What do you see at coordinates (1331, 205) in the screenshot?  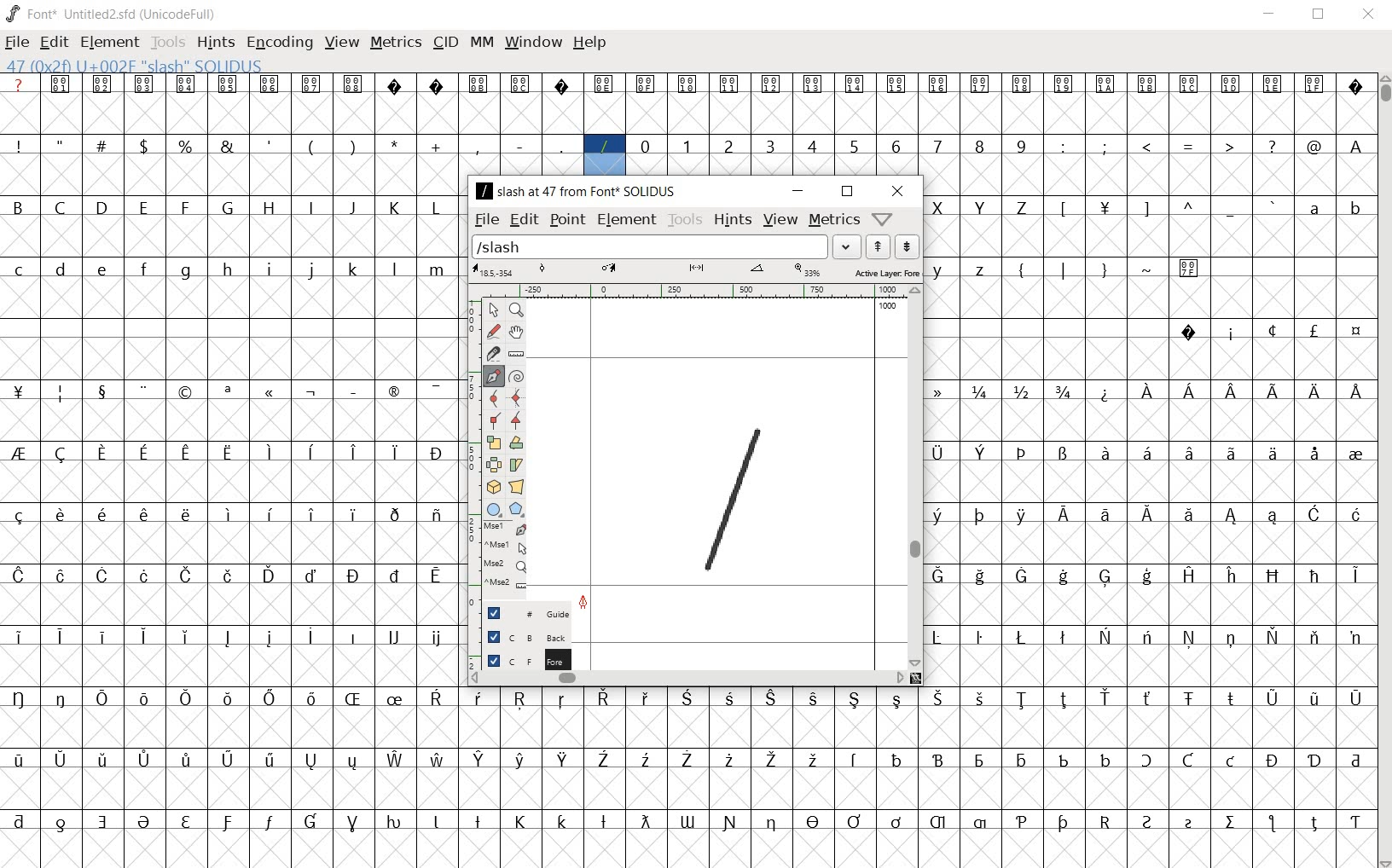 I see `a b` at bounding box center [1331, 205].